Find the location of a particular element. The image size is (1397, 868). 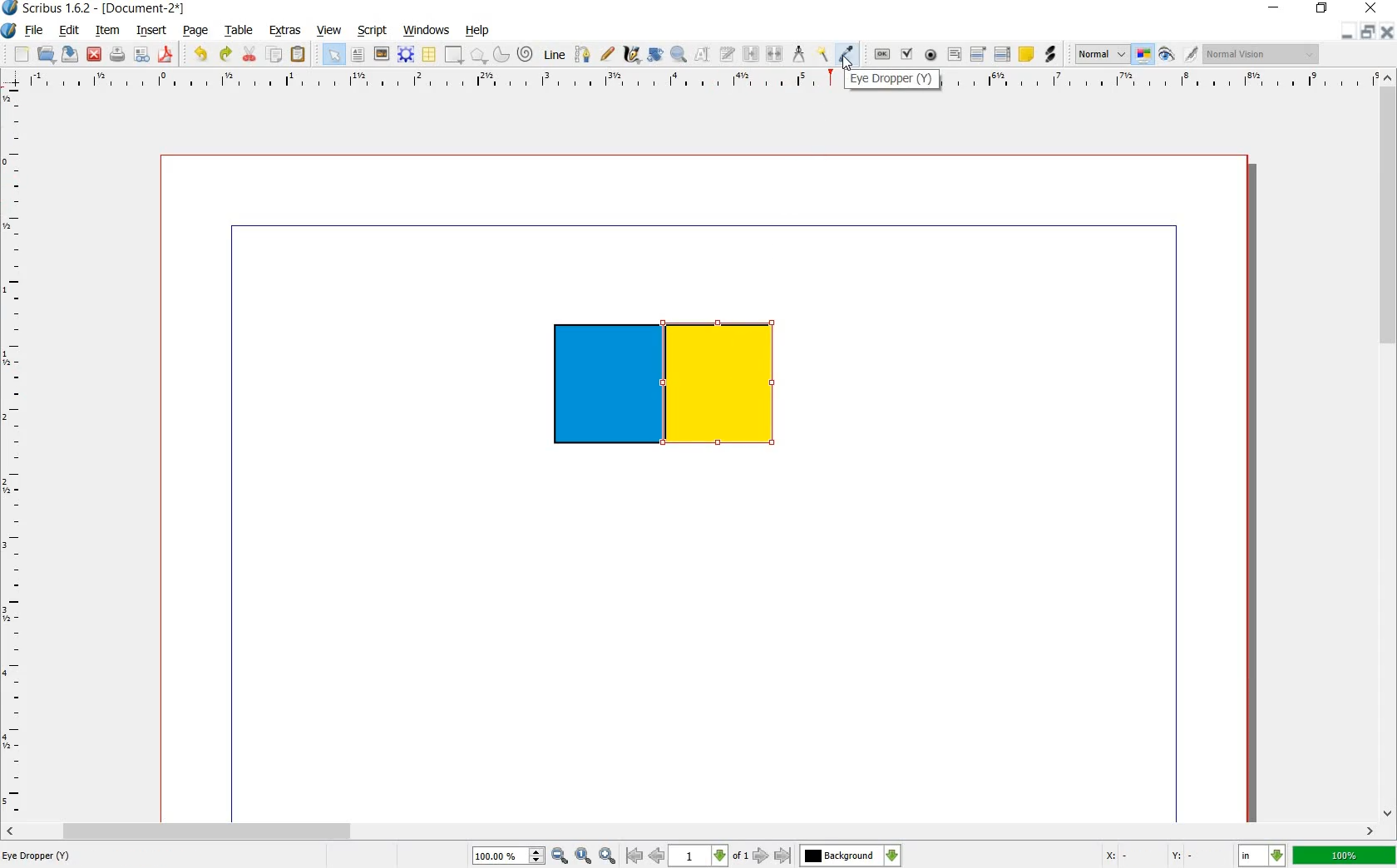

100.00% is located at coordinates (507, 855).